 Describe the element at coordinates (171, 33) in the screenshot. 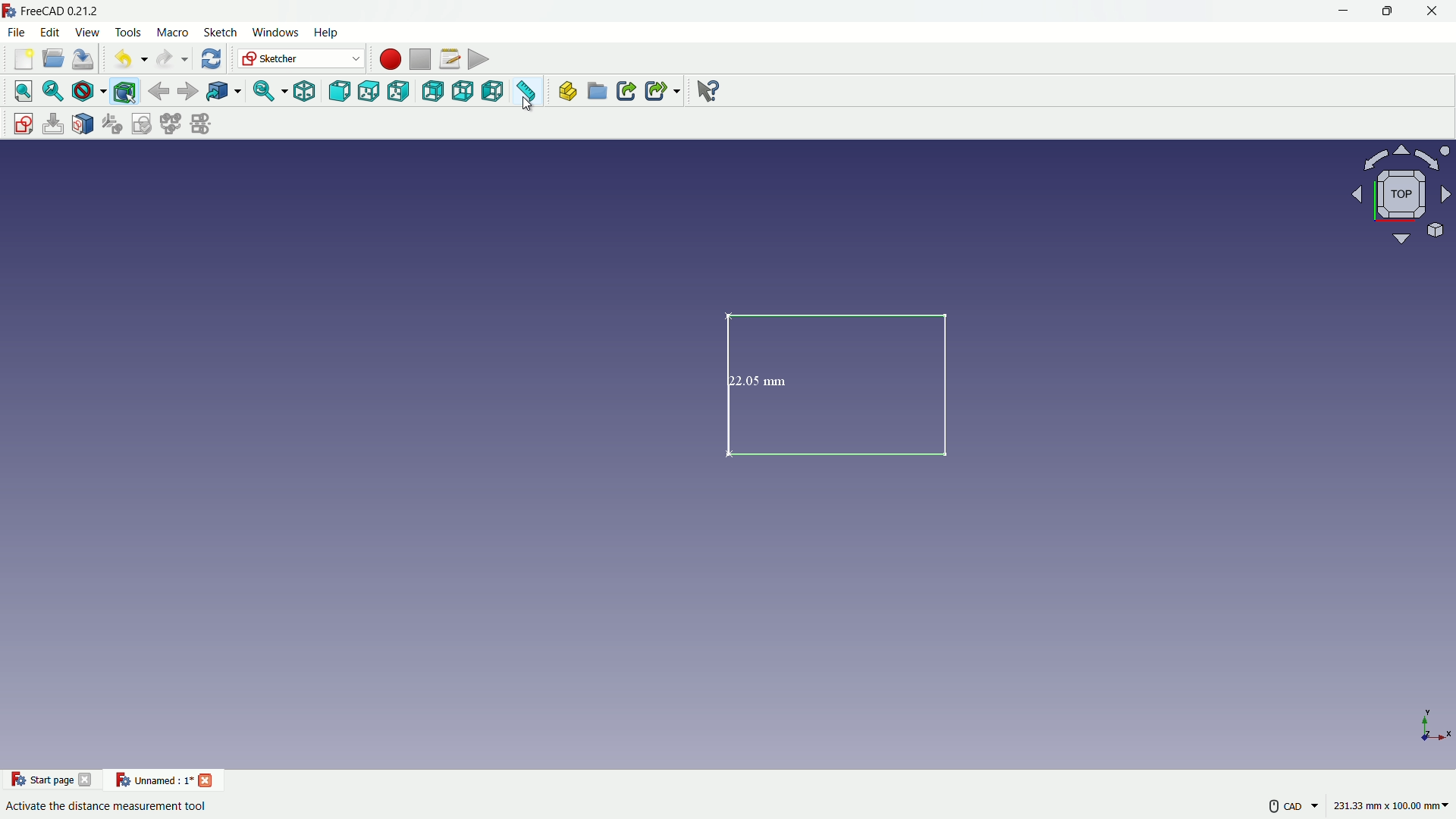

I see `macro` at that location.